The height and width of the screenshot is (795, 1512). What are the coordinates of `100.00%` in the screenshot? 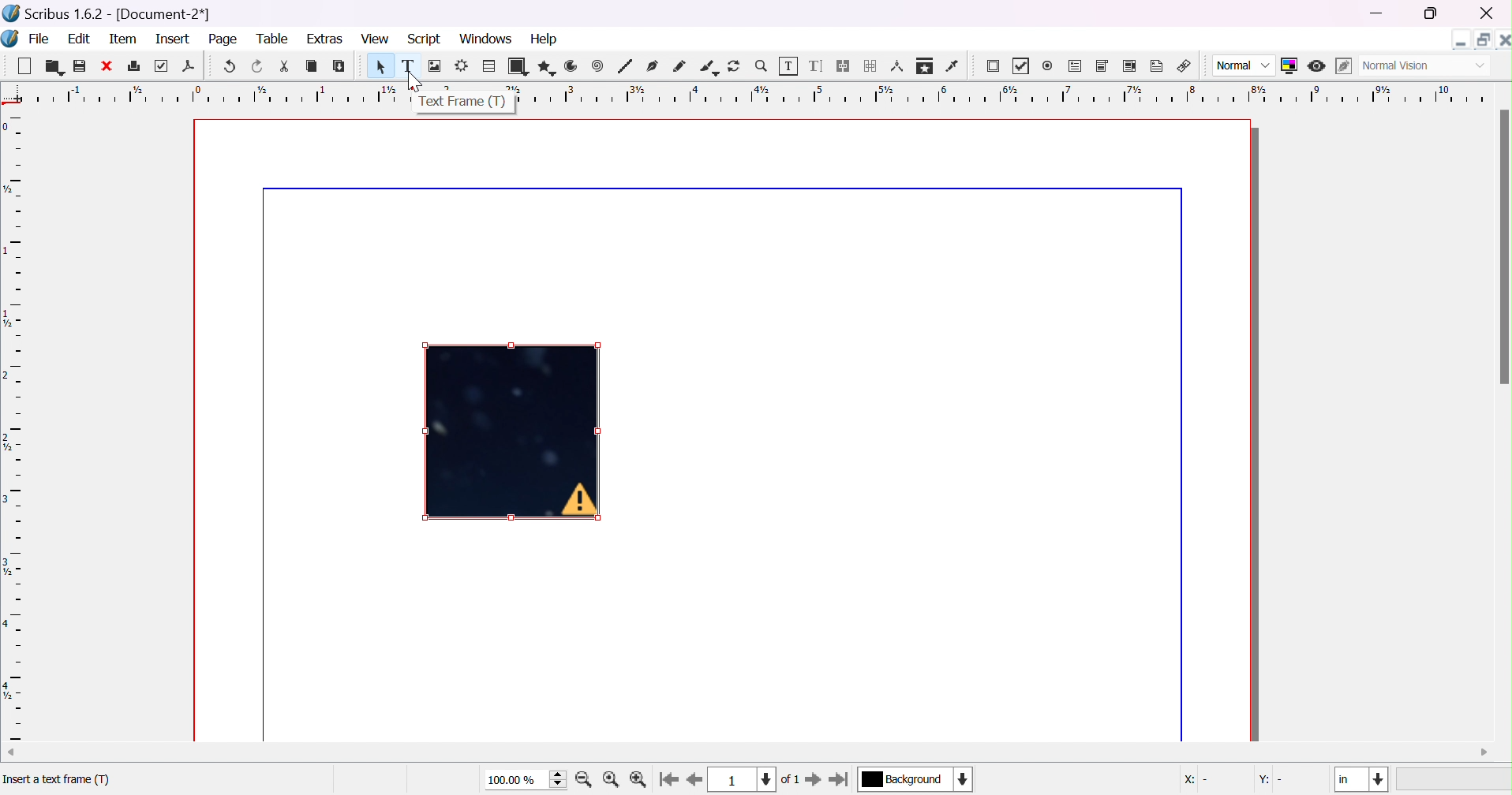 It's located at (527, 780).